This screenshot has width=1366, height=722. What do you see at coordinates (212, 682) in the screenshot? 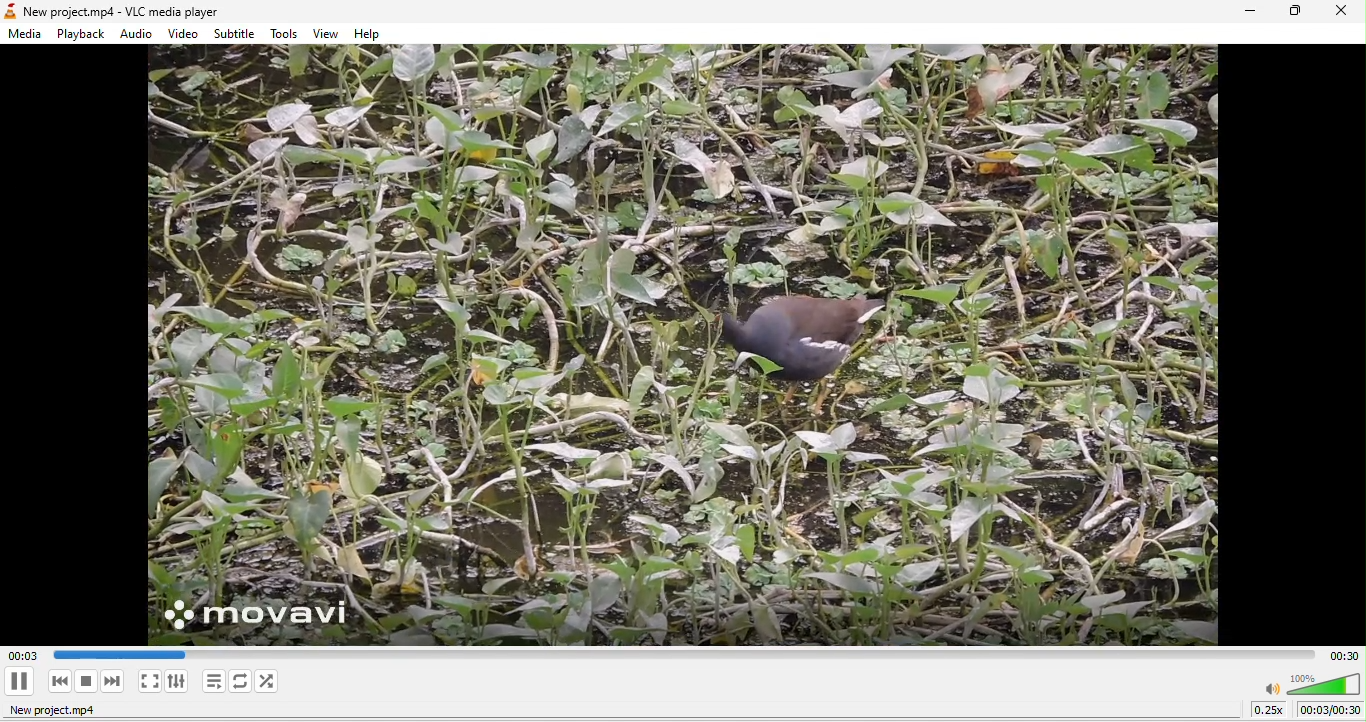
I see `toggle playlist` at bounding box center [212, 682].